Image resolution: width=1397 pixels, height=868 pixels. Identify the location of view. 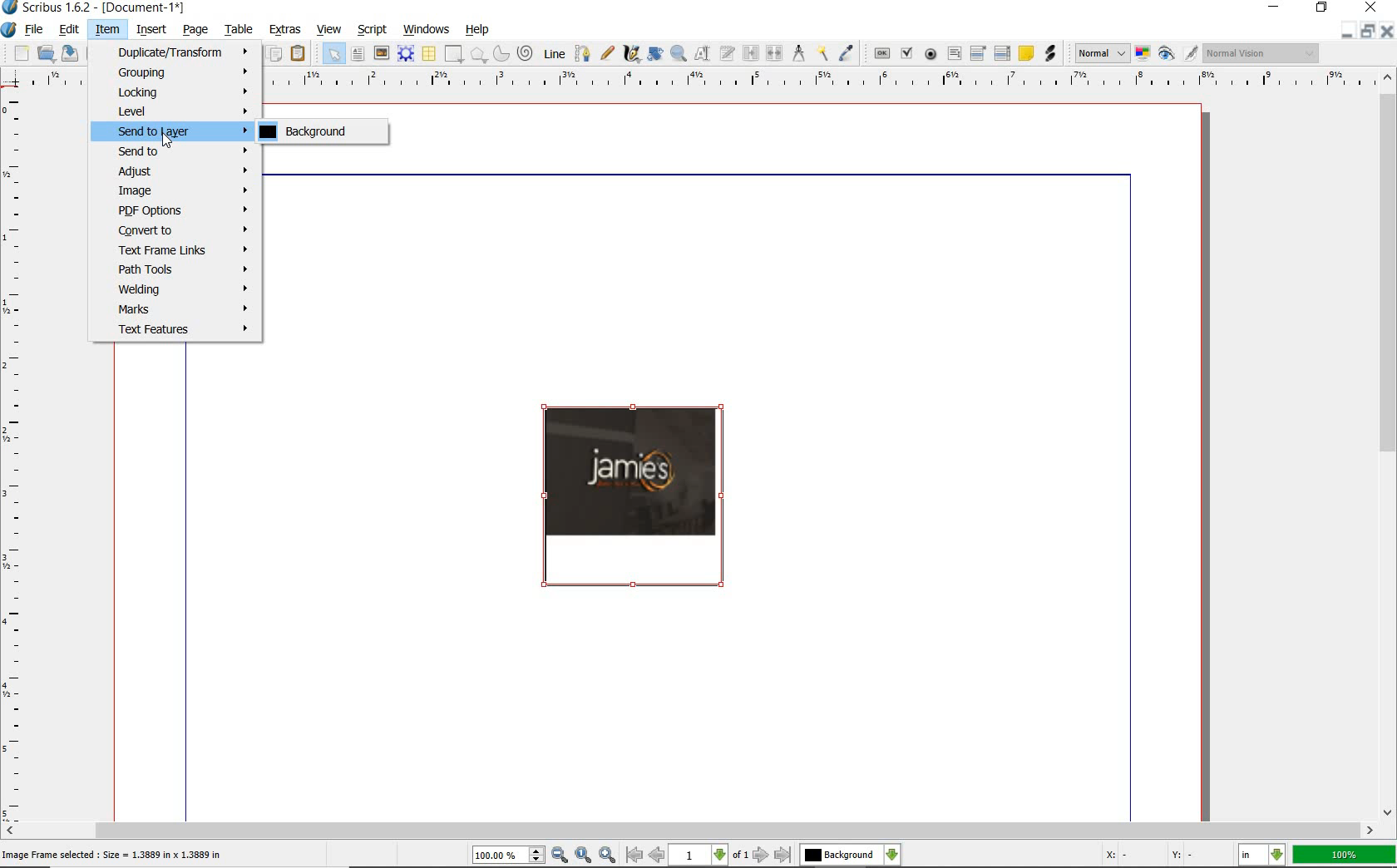
(332, 31).